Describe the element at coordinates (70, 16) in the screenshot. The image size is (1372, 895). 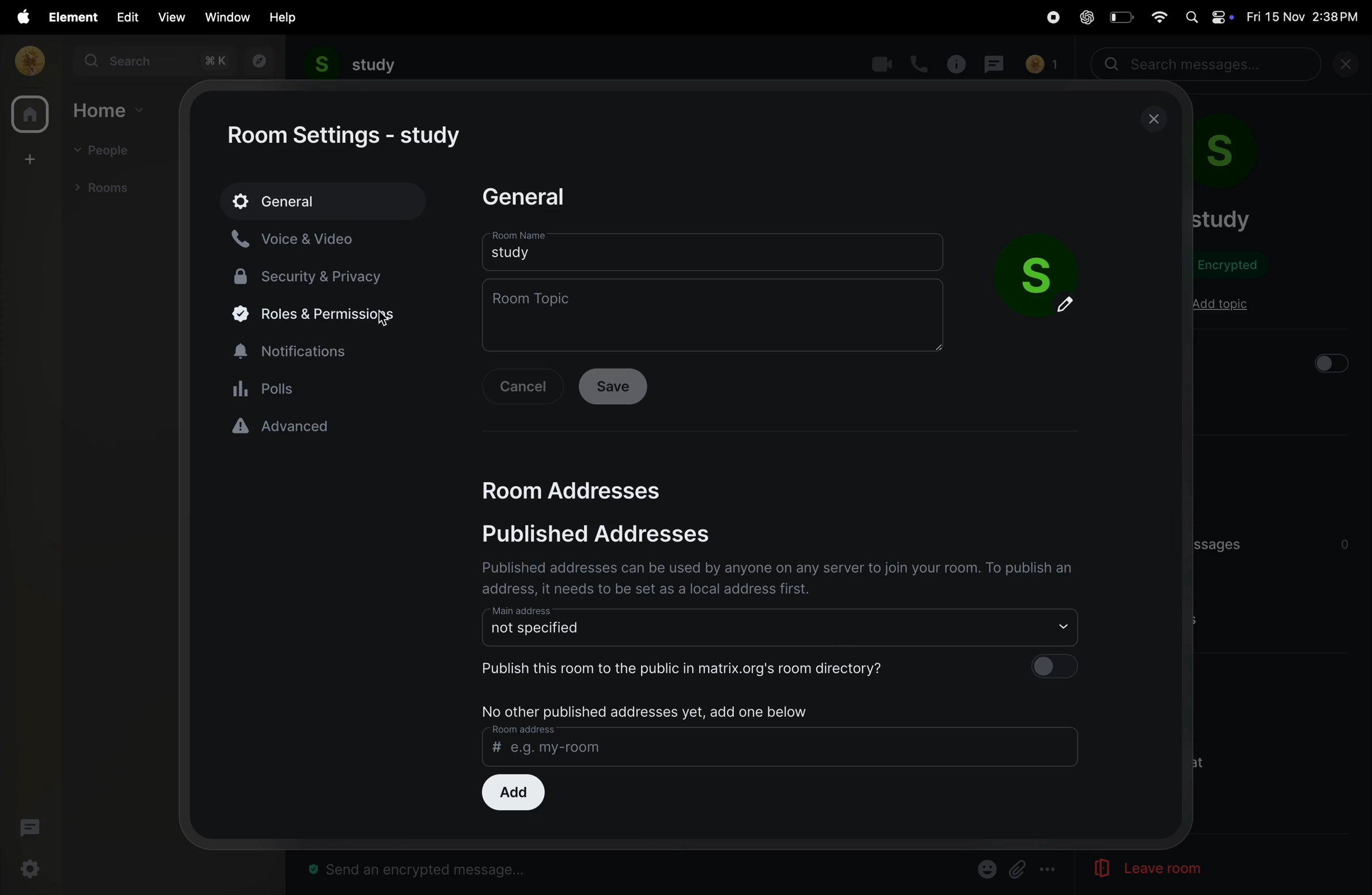
I see `element menu` at that location.